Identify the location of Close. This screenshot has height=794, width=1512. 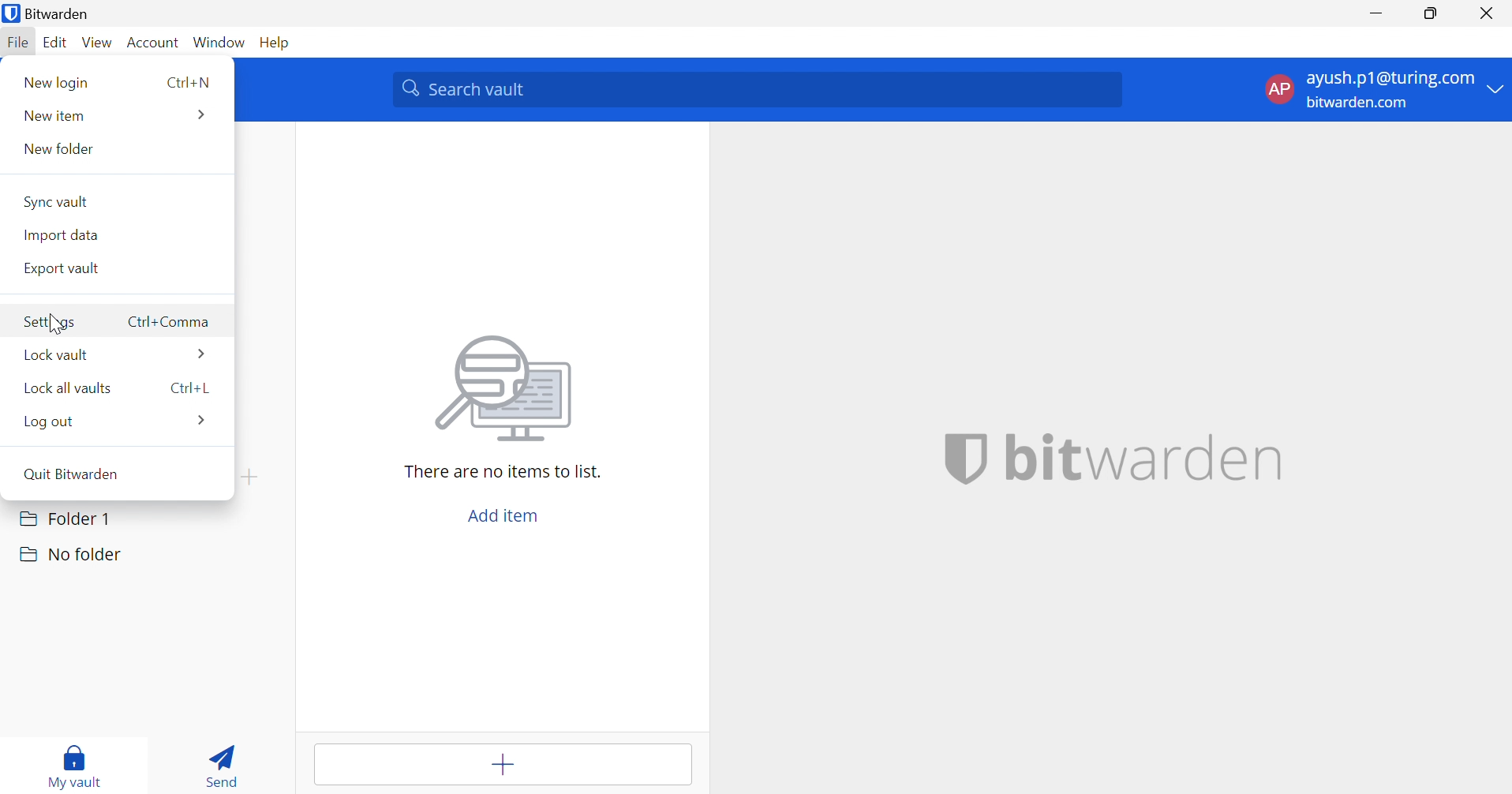
(1489, 13).